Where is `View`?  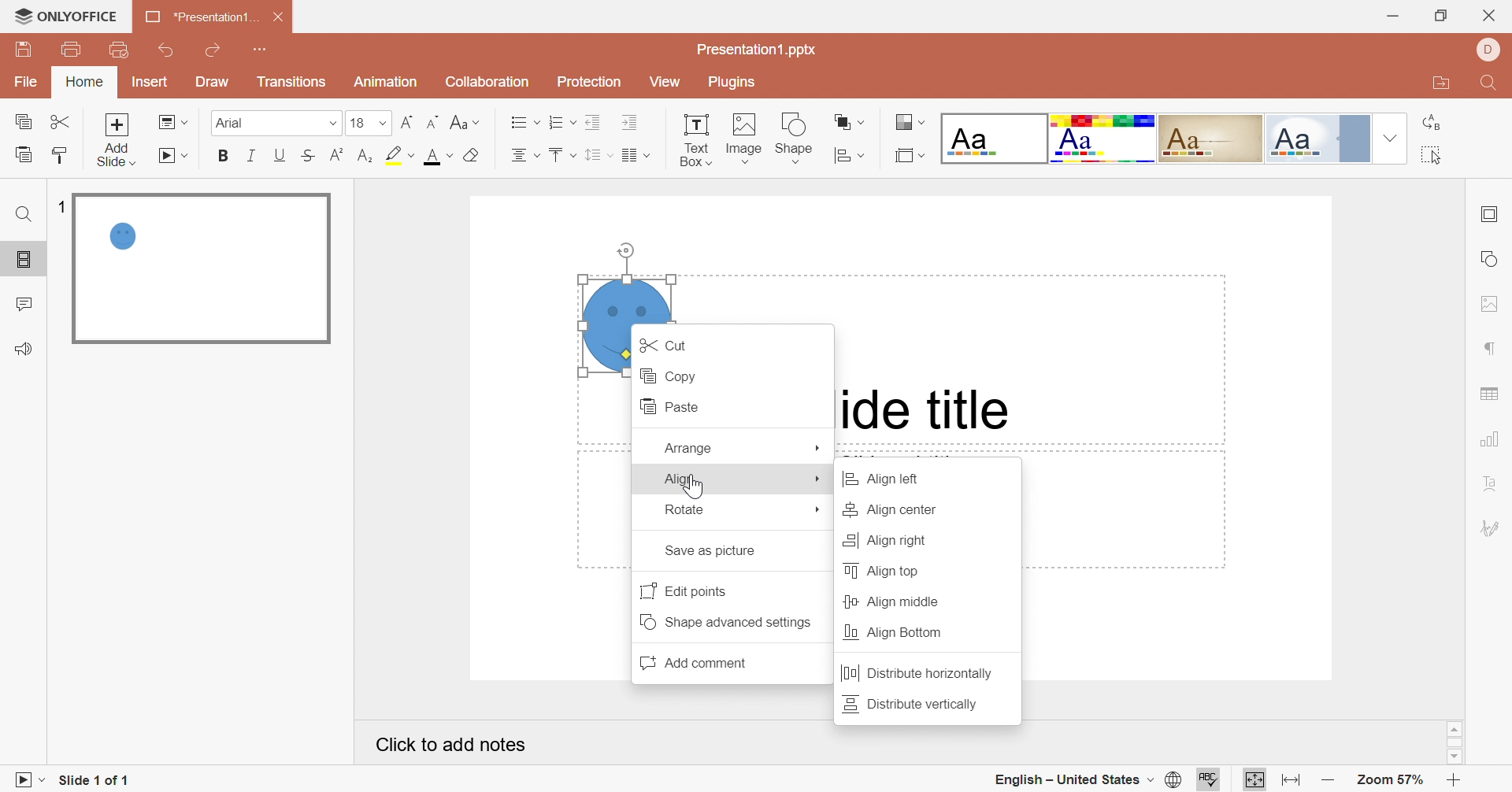
View is located at coordinates (664, 83).